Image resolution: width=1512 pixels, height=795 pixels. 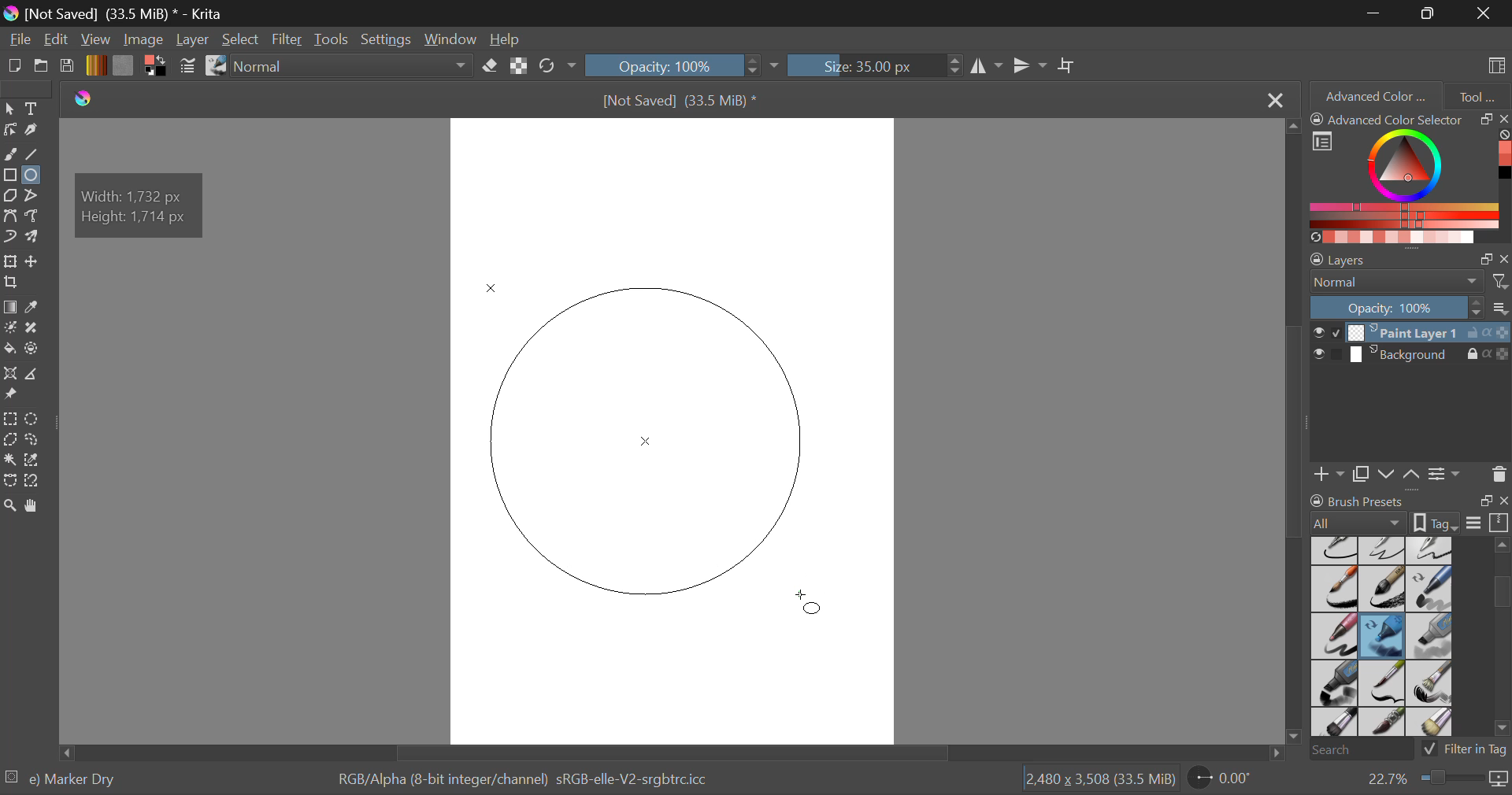 What do you see at coordinates (1411, 331) in the screenshot?
I see `Paint Layer 1` at bounding box center [1411, 331].